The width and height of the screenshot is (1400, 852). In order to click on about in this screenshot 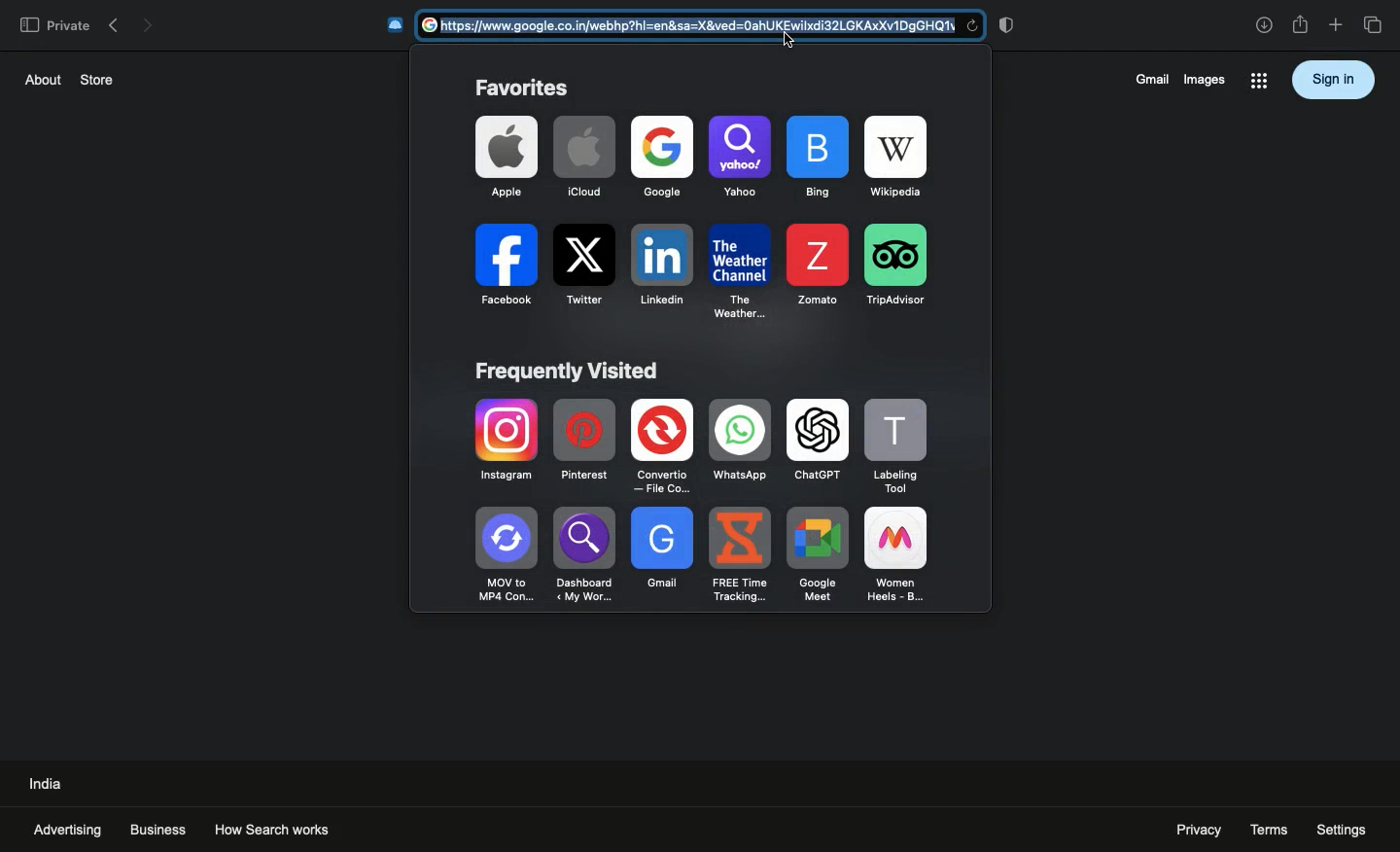, I will do `click(39, 79)`.